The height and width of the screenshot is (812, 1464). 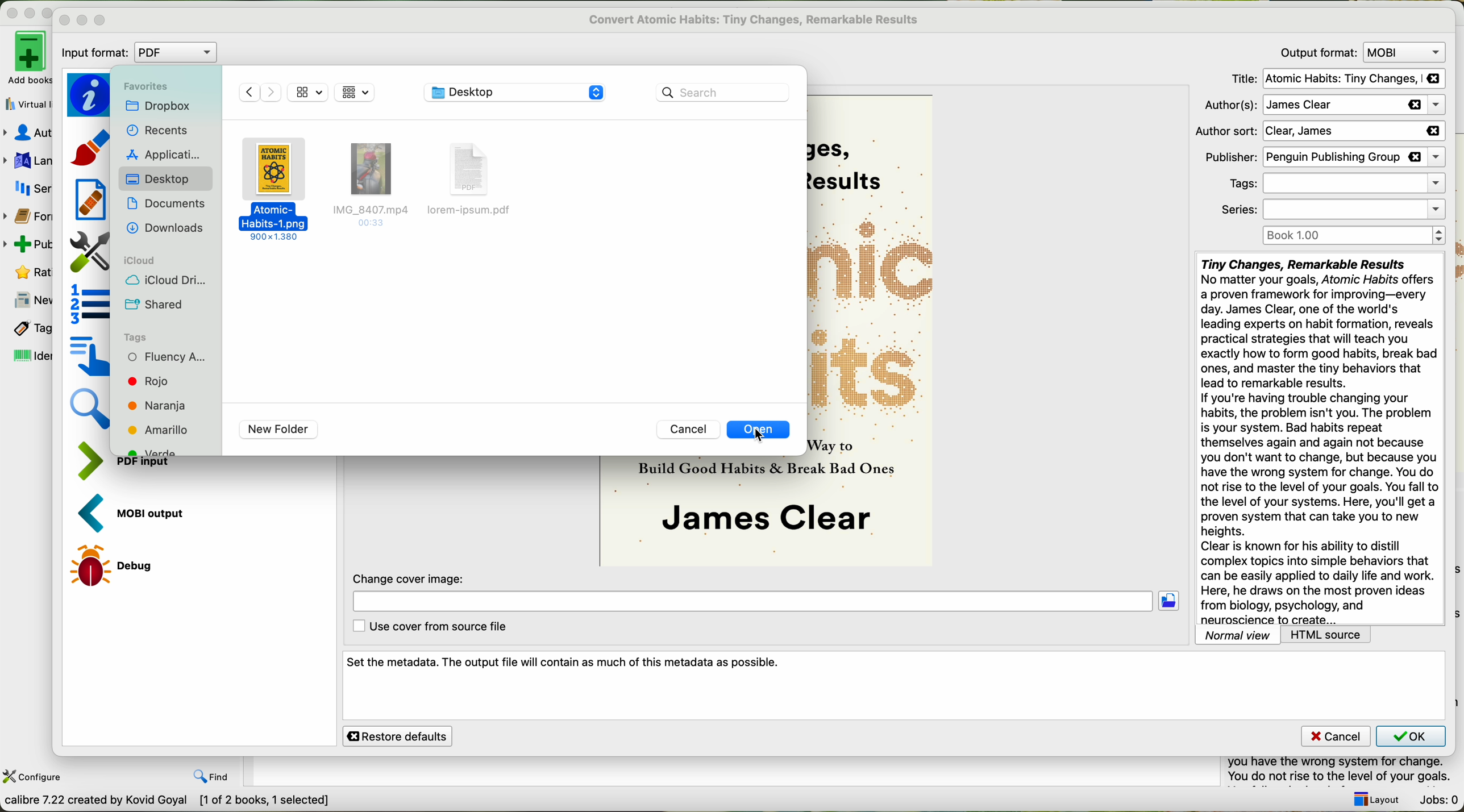 What do you see at coordinates (214, 777) in the screenshot?
I see `find` at bounding box center [214, 777].